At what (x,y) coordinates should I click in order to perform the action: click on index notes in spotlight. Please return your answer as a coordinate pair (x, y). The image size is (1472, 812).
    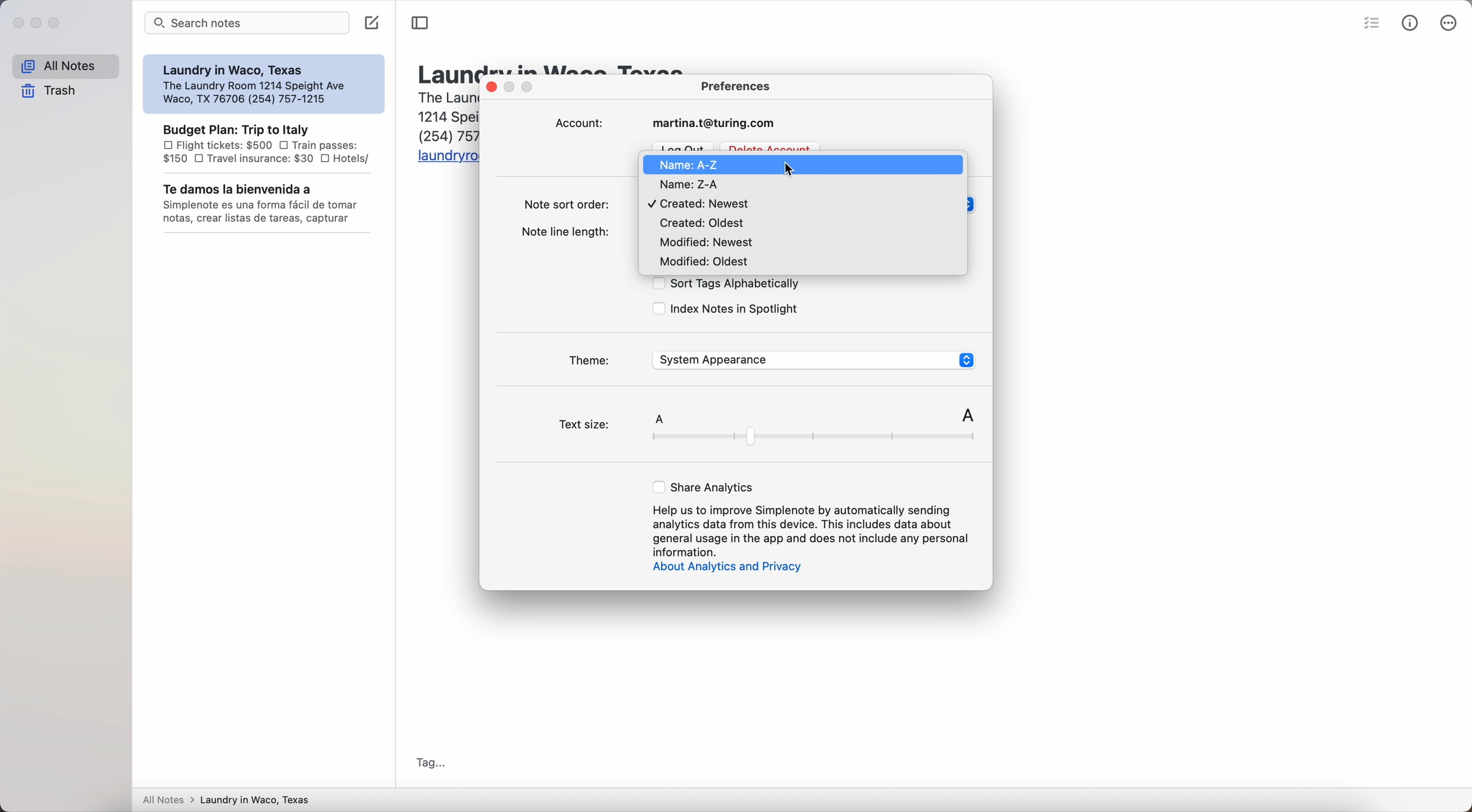
    Looking at the image, I should click on (726, 310).